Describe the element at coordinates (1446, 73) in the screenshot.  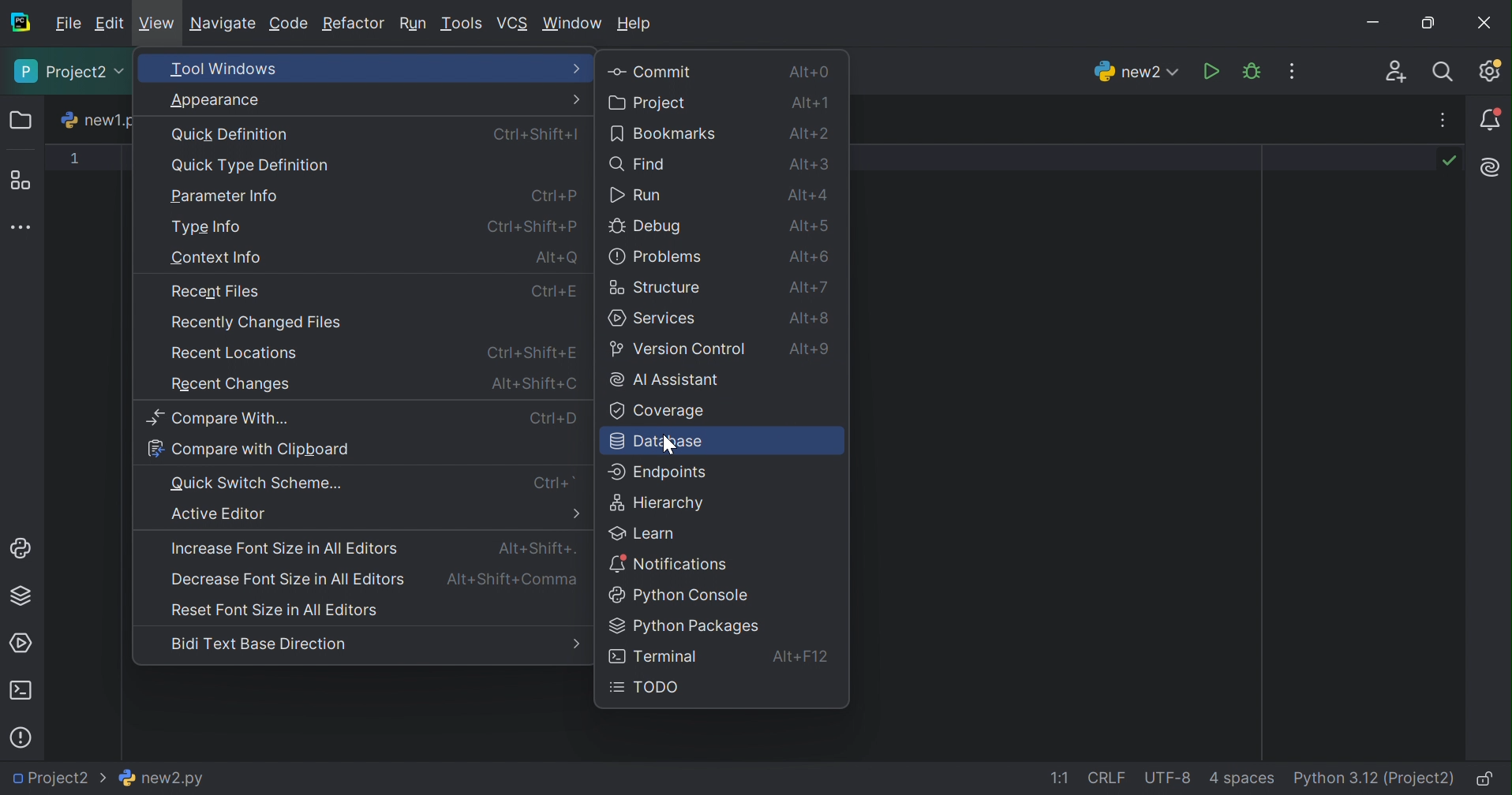
I see `Search everywhere` at that location.